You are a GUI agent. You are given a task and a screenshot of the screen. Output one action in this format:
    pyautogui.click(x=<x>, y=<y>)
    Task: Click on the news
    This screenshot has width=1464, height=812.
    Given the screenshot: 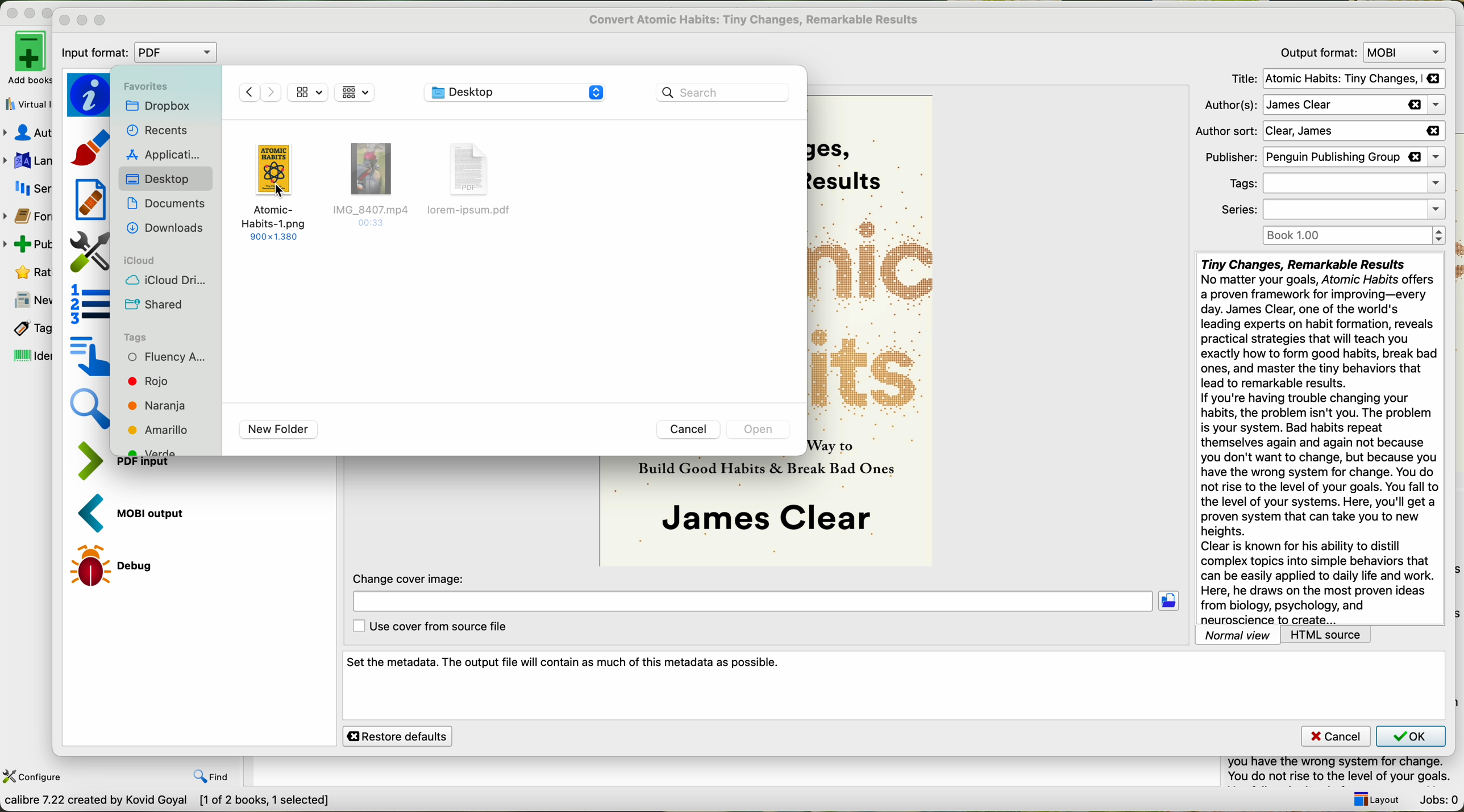 What is the action you would take?
    pyautogui.click(x=27, y=301)
    